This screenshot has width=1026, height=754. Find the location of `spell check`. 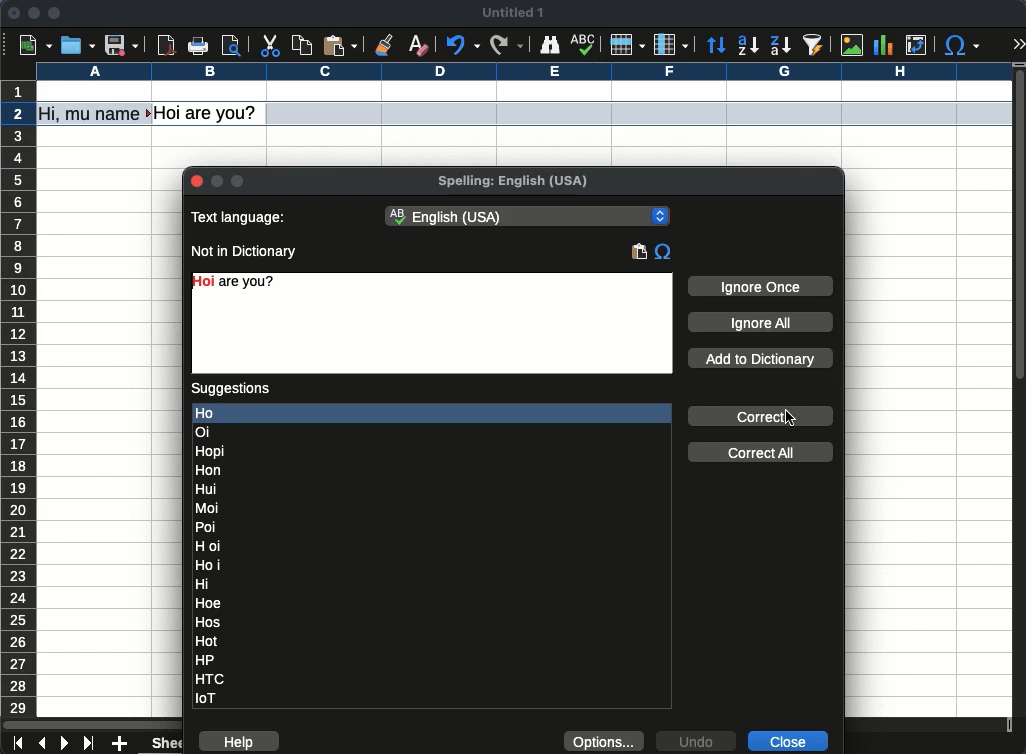

spell check is located at coordinates (585, 45).